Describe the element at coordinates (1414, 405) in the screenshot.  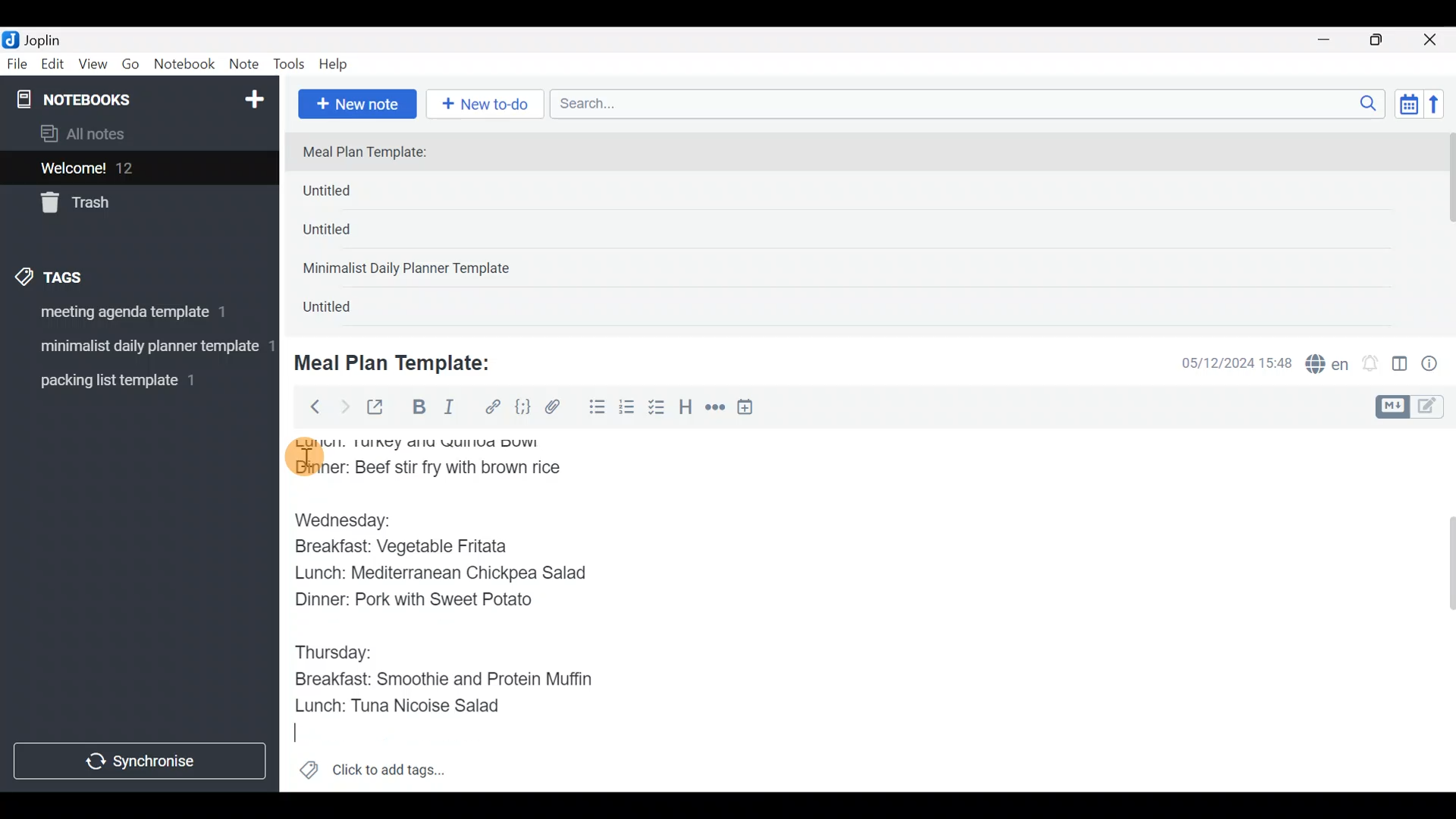
I see `Toggle editors` at that location.